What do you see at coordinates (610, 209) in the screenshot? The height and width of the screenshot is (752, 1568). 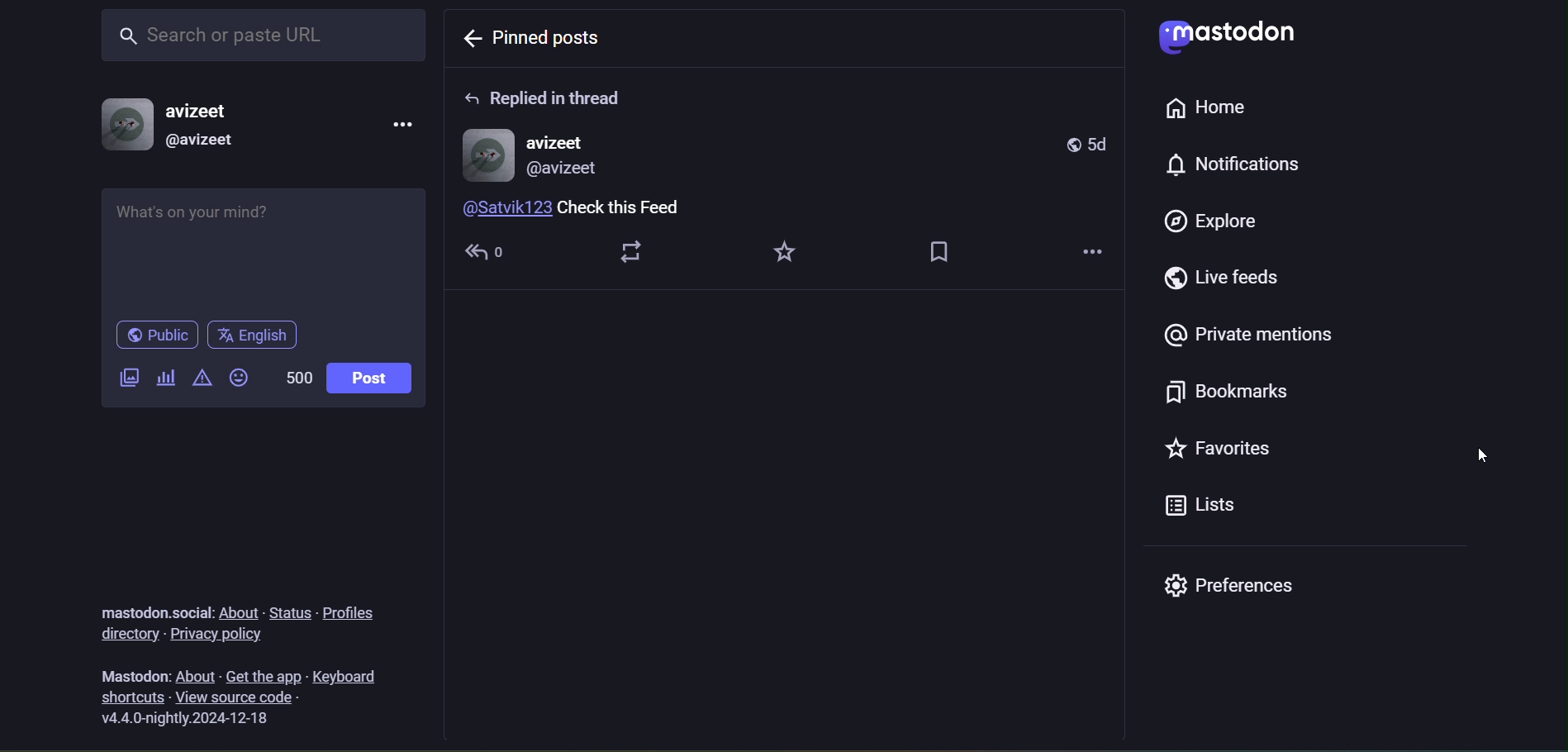 I see `Pinned Post` at bounding box center [610, 209].